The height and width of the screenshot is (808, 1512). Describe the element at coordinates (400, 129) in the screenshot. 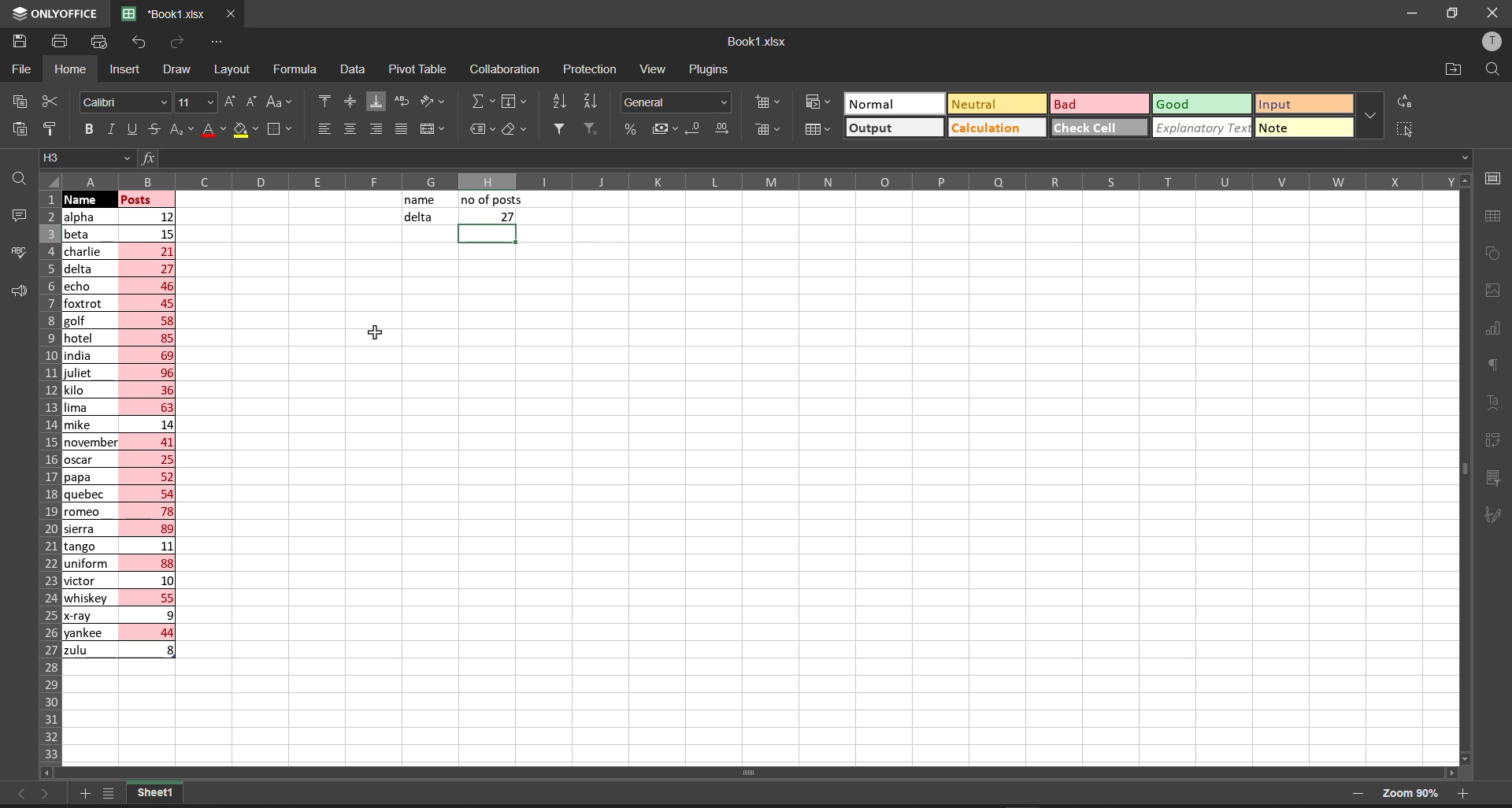

I see `justified` at that location.